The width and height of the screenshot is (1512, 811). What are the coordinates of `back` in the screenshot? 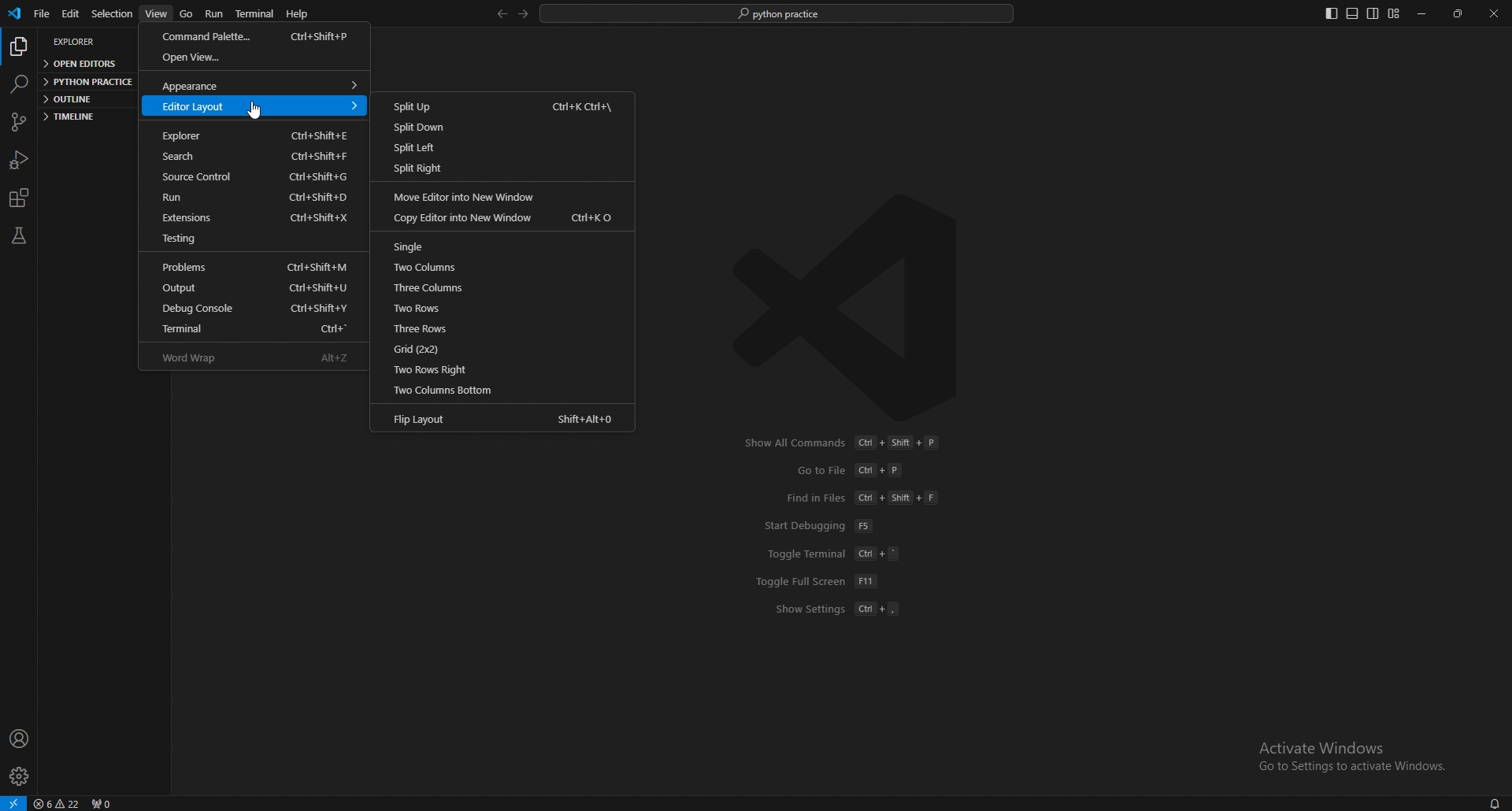 It's located at (500, 14).